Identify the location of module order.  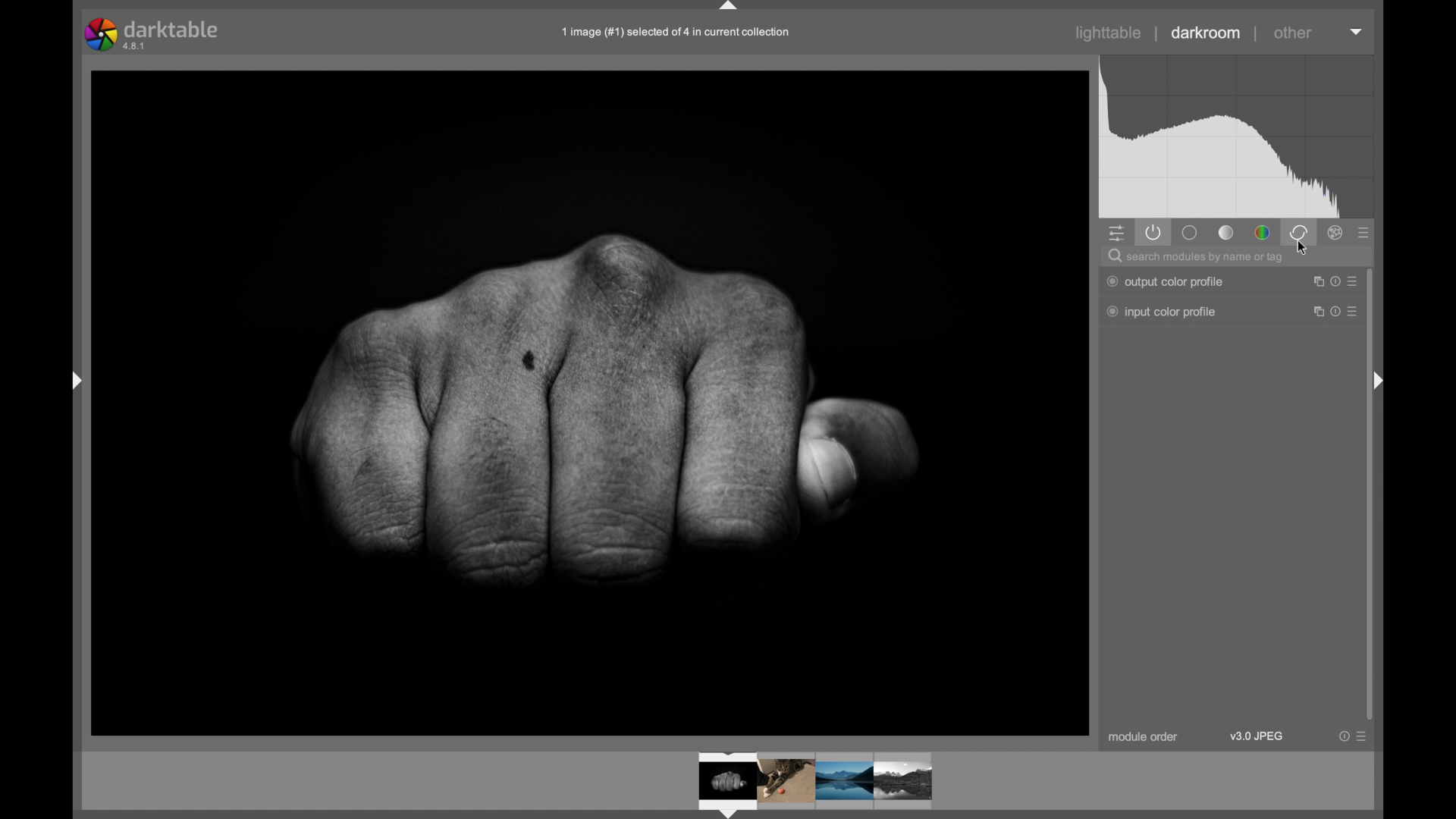
(1141, 736).